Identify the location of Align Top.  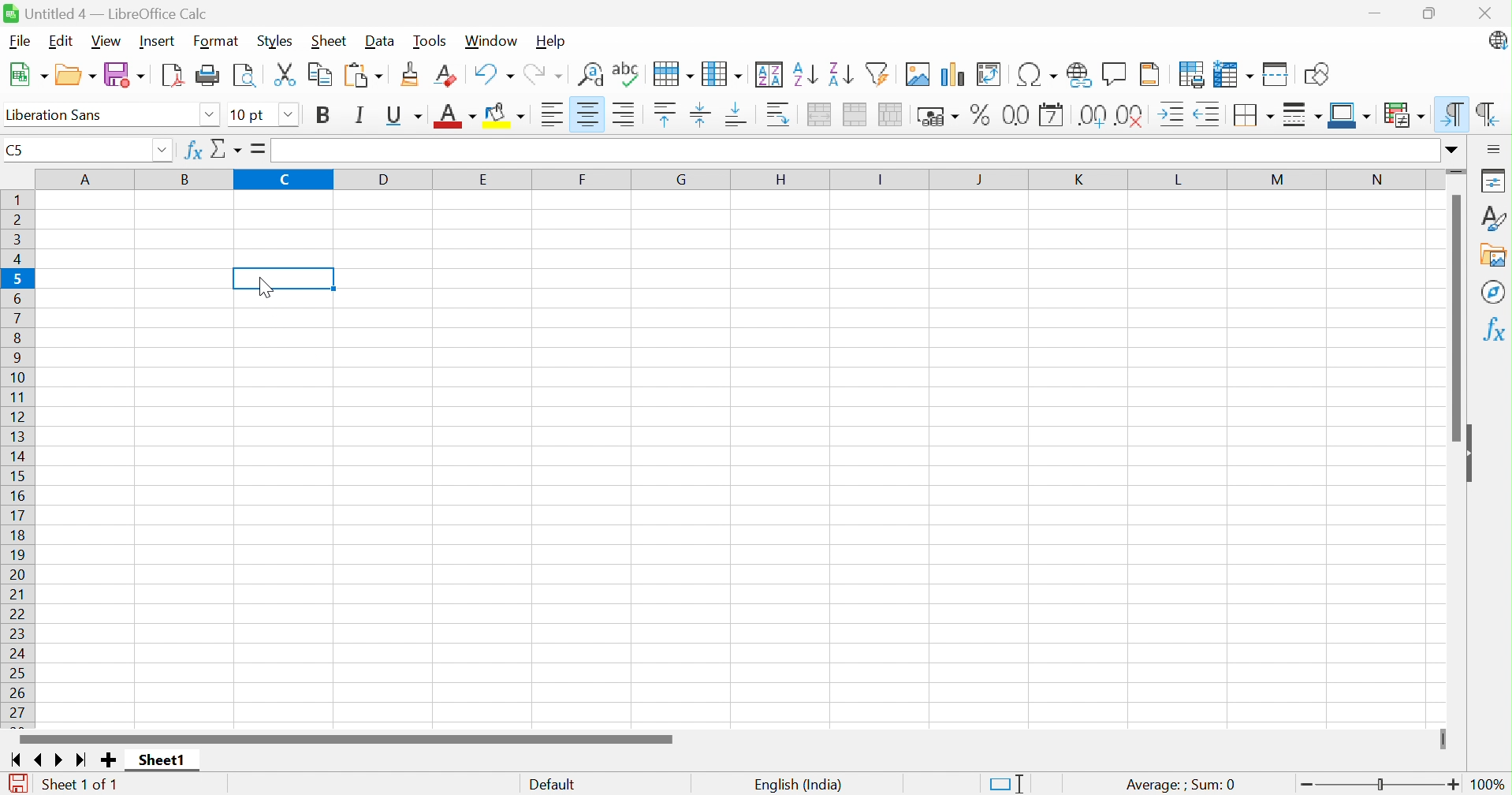
(664, 114).